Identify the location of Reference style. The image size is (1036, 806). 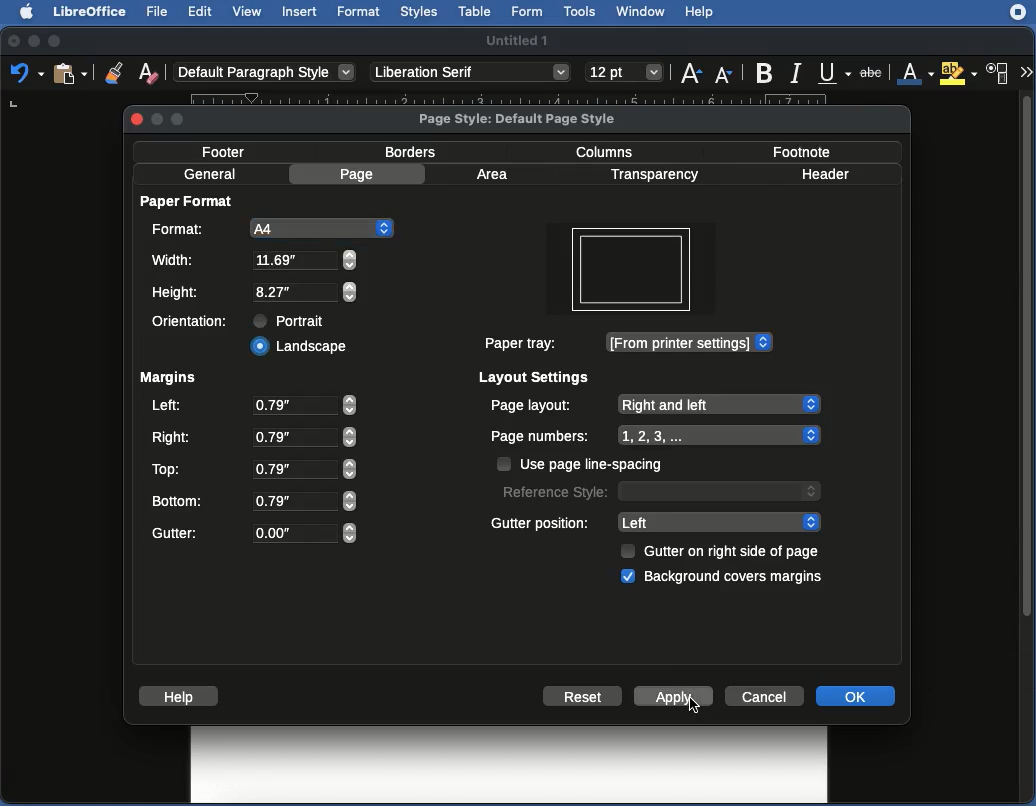
(661, 493).